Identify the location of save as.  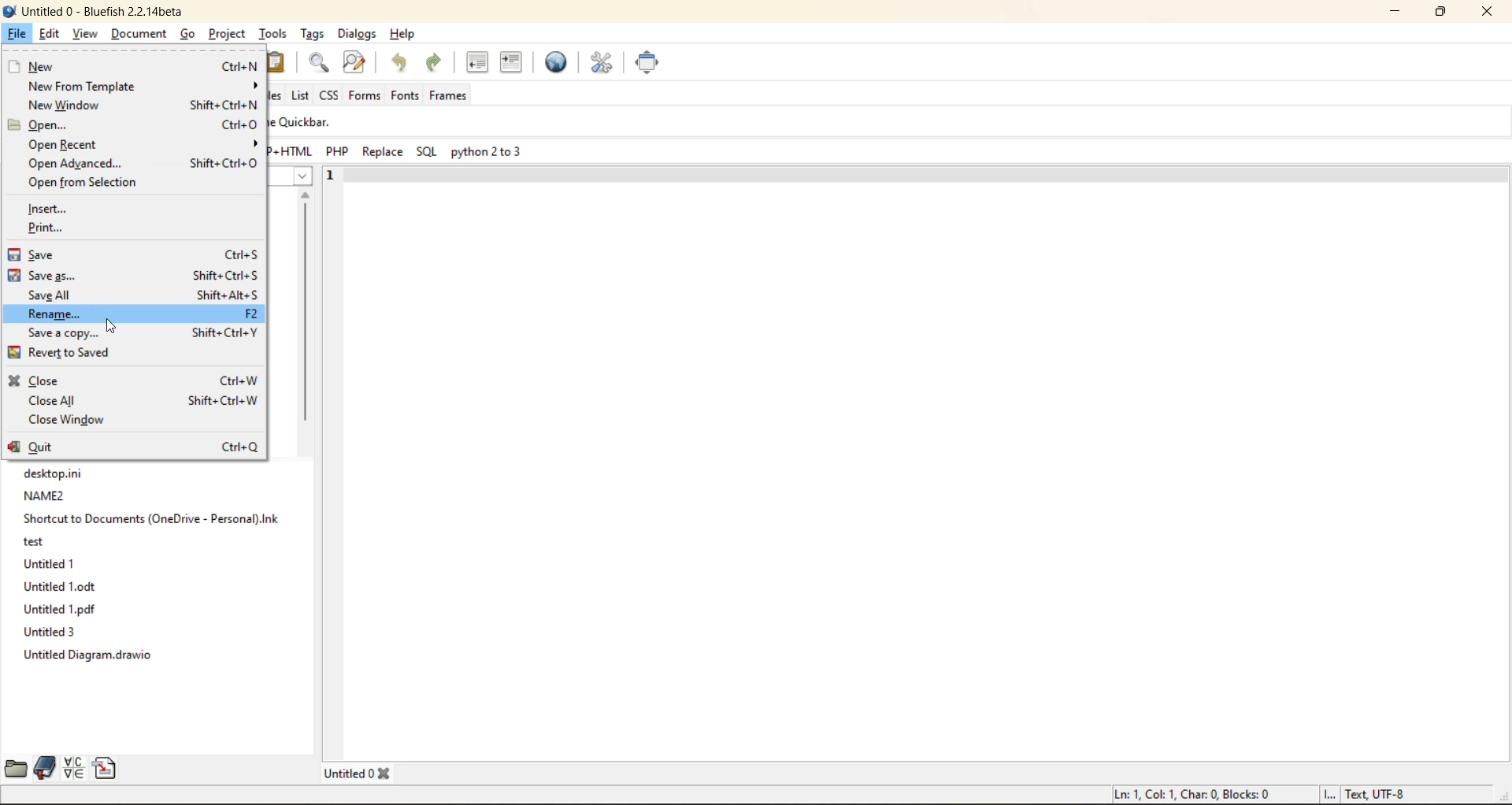
(56, 274).